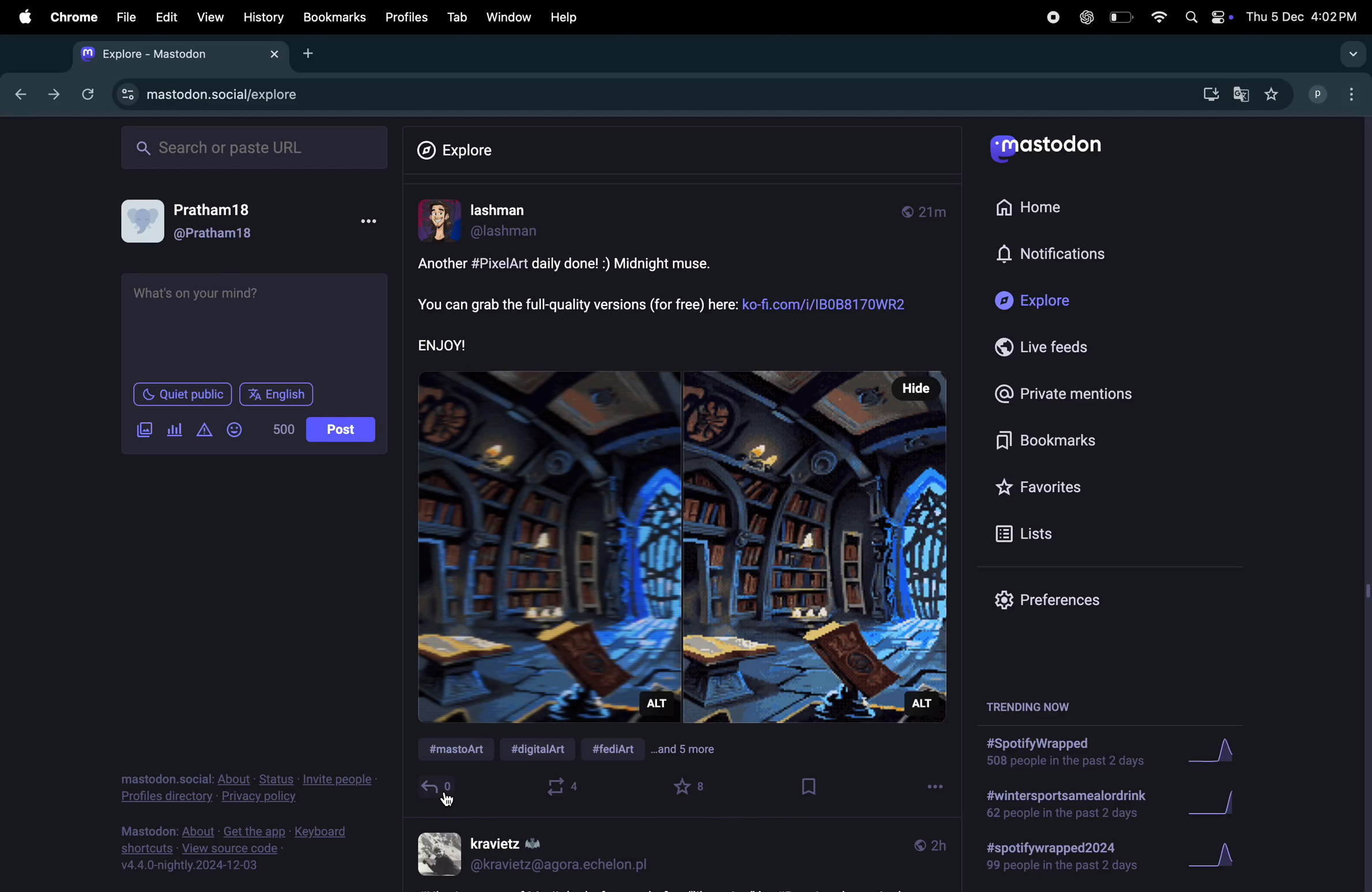 This screenshot has height=892, width=1372. Describe the element at coordinates (455, 146) in the screenshot. I see `Explore` at that location.